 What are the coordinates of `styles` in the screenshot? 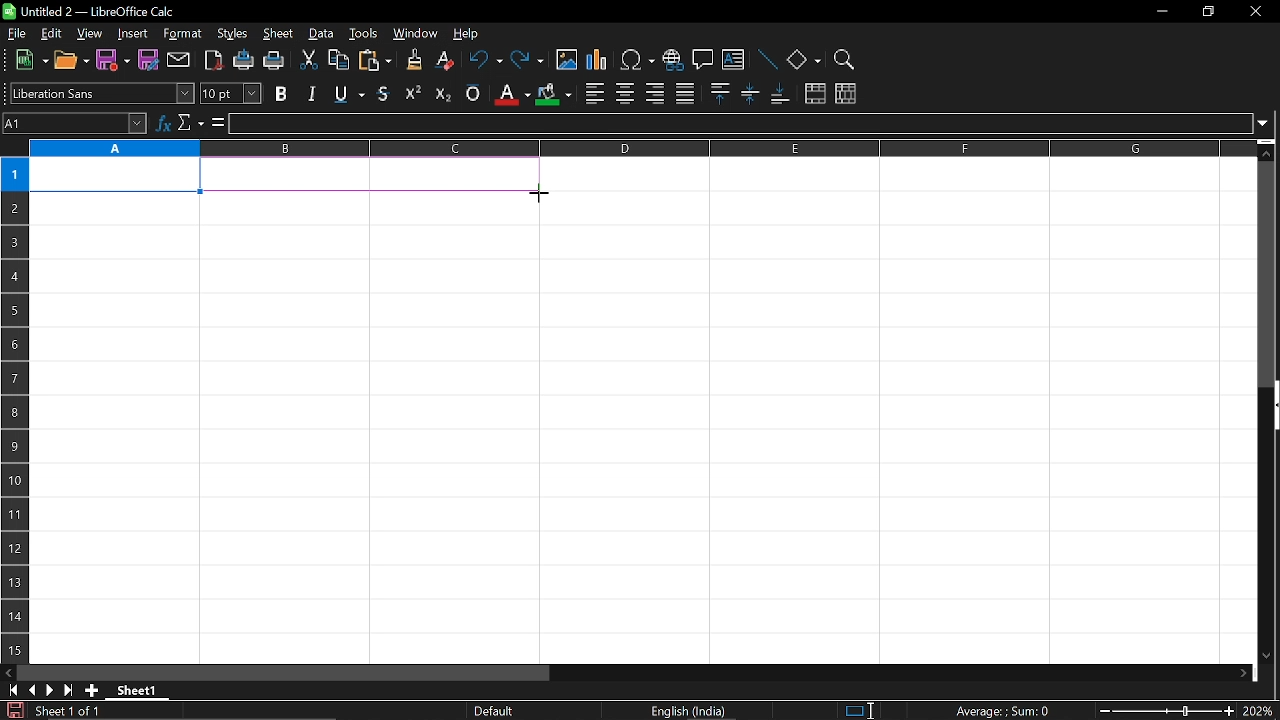 It's located at (232, 35).